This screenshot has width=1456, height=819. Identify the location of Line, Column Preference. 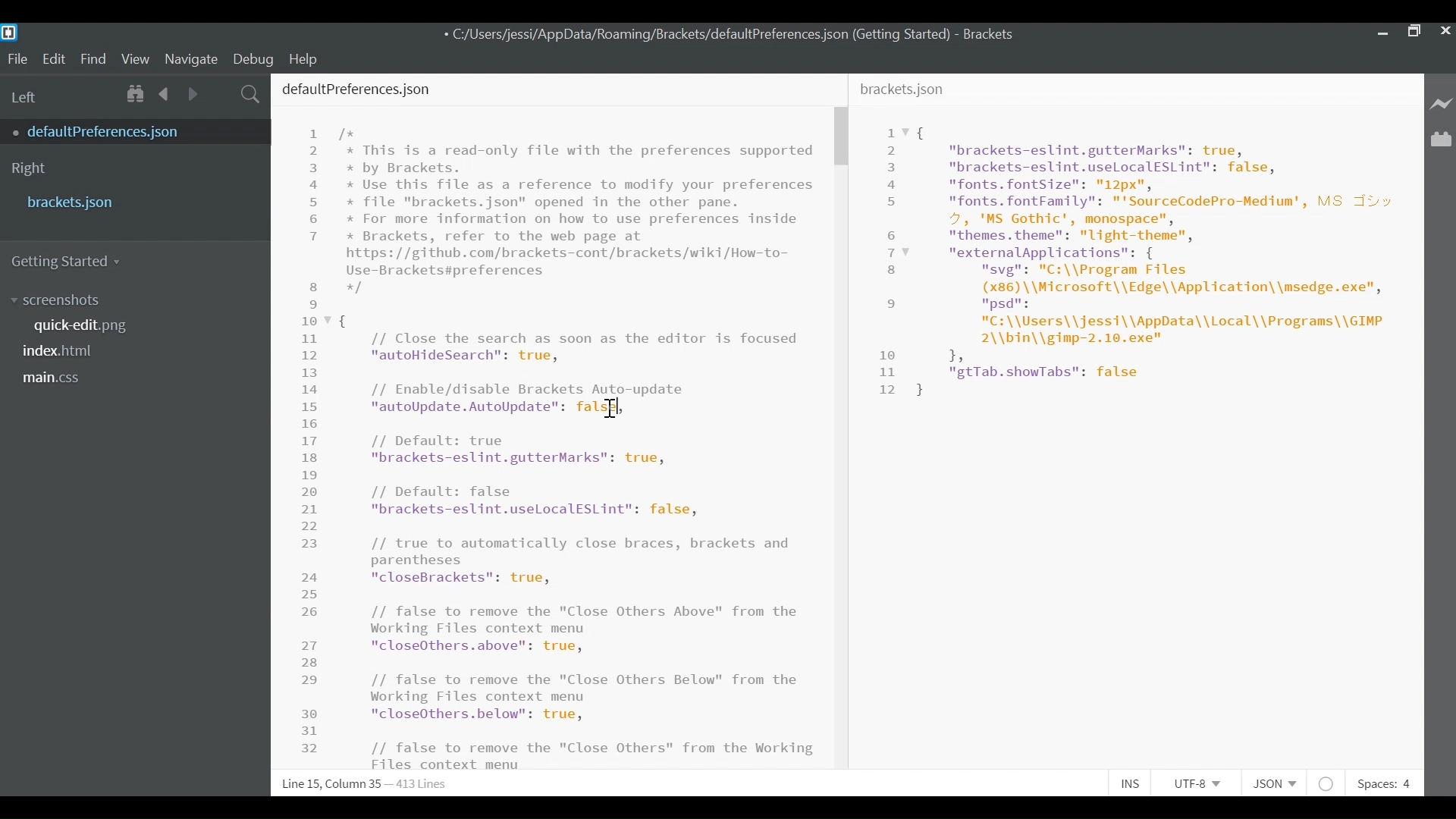
(356, 784).